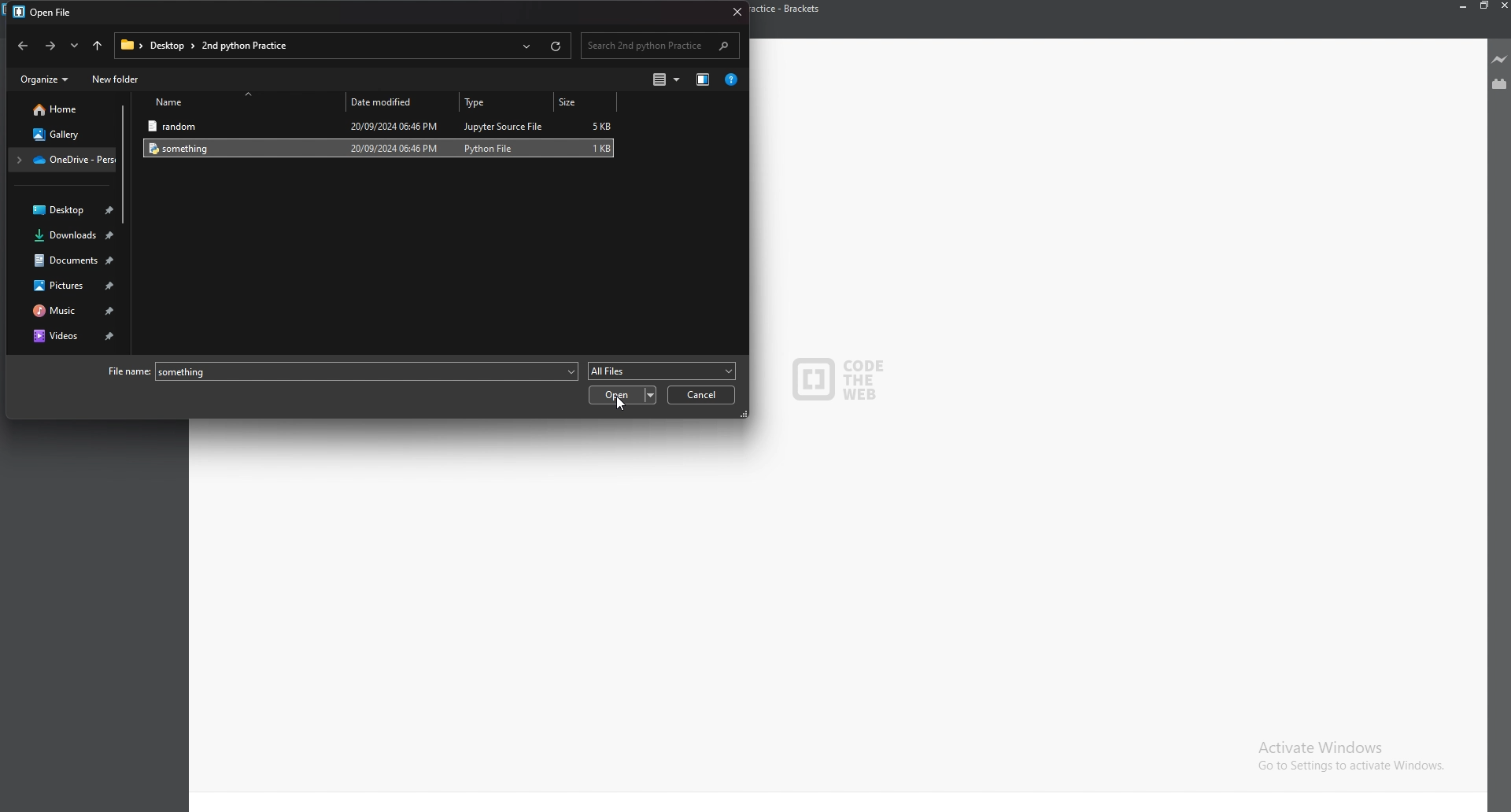 Image resolution: width=1511 pixels, height=812 pixels. What do you see at coordinates (395, 148) in the screenshot?
I see `20/09/2024 06:46 PM` at bounding box center [395, 148].